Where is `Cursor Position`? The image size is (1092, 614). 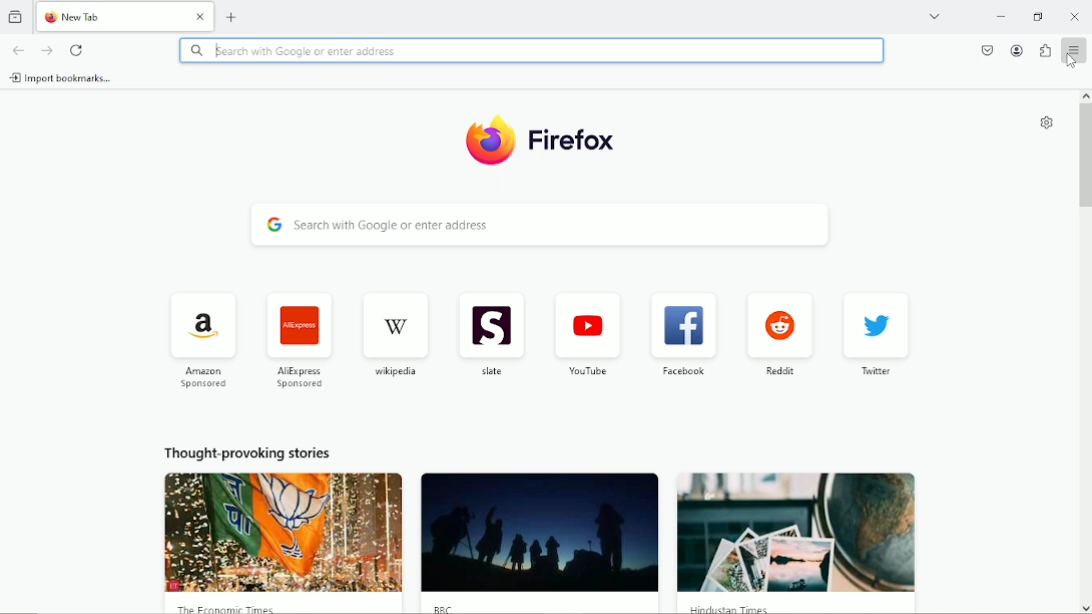 Cursor Position is located at coordinates (1072, 61).